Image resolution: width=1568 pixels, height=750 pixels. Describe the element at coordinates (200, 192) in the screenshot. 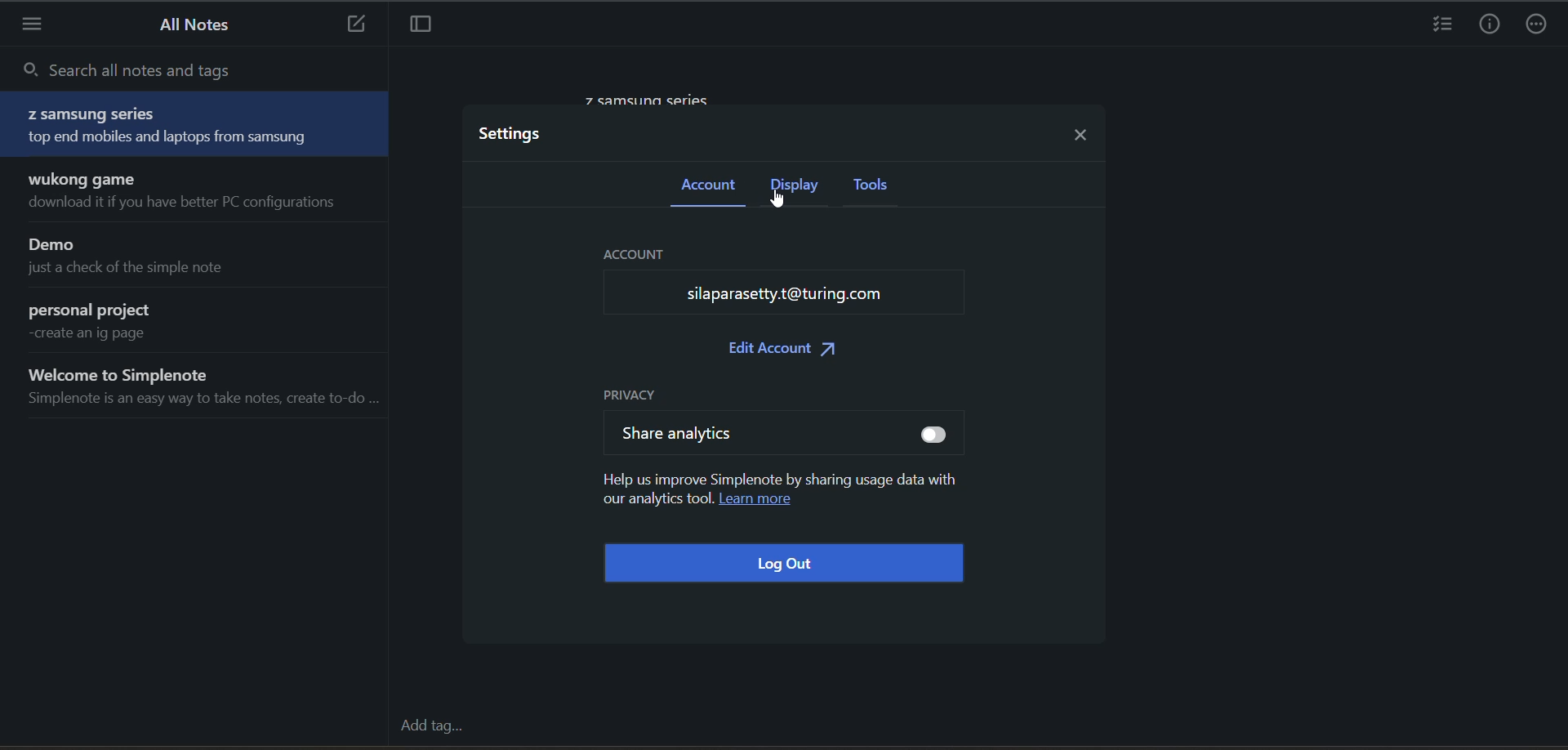

I see `wukong game
download it if you have better PC configurations` at that location.